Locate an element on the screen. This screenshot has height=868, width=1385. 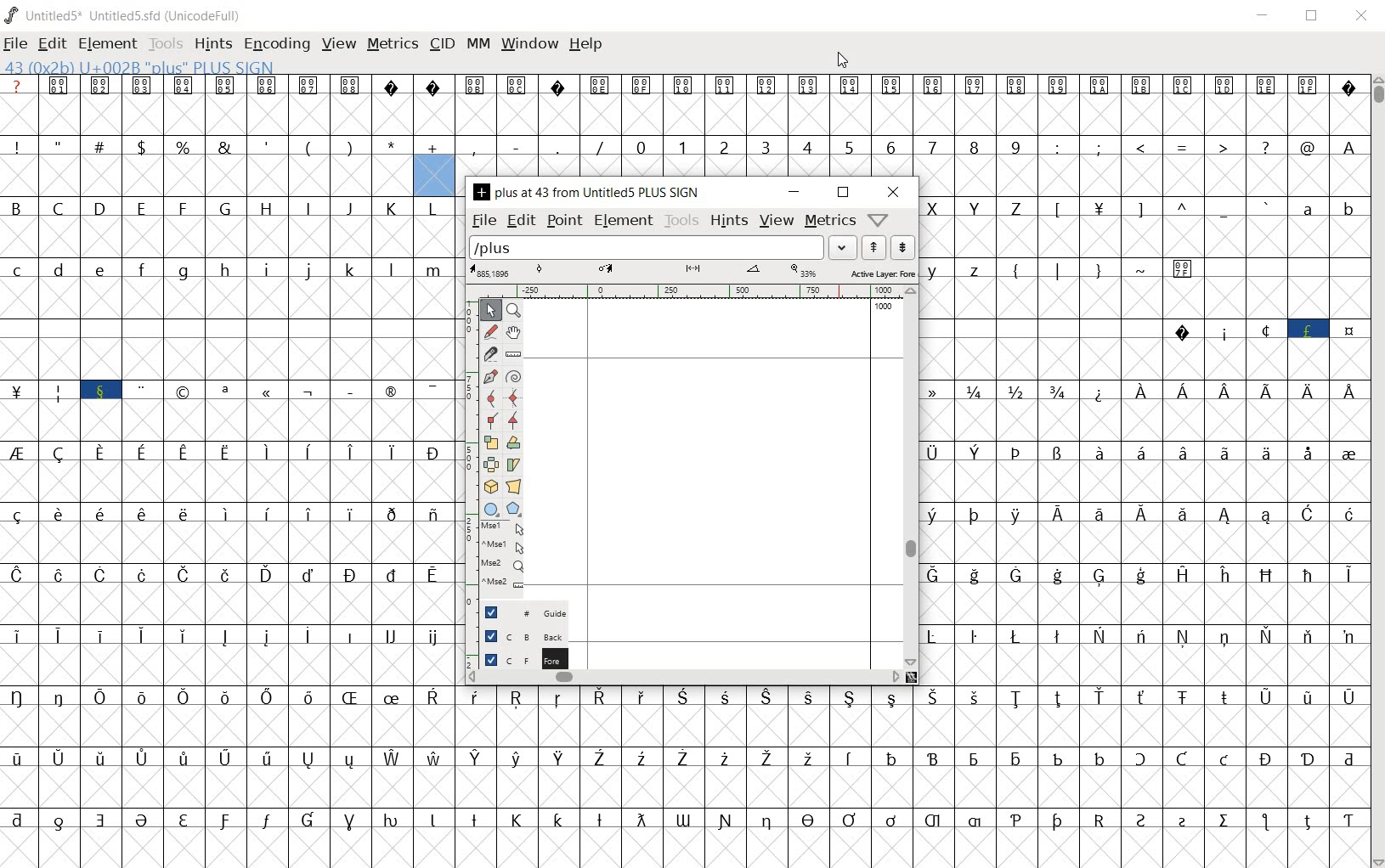
view is located at coordinates (337, 42).